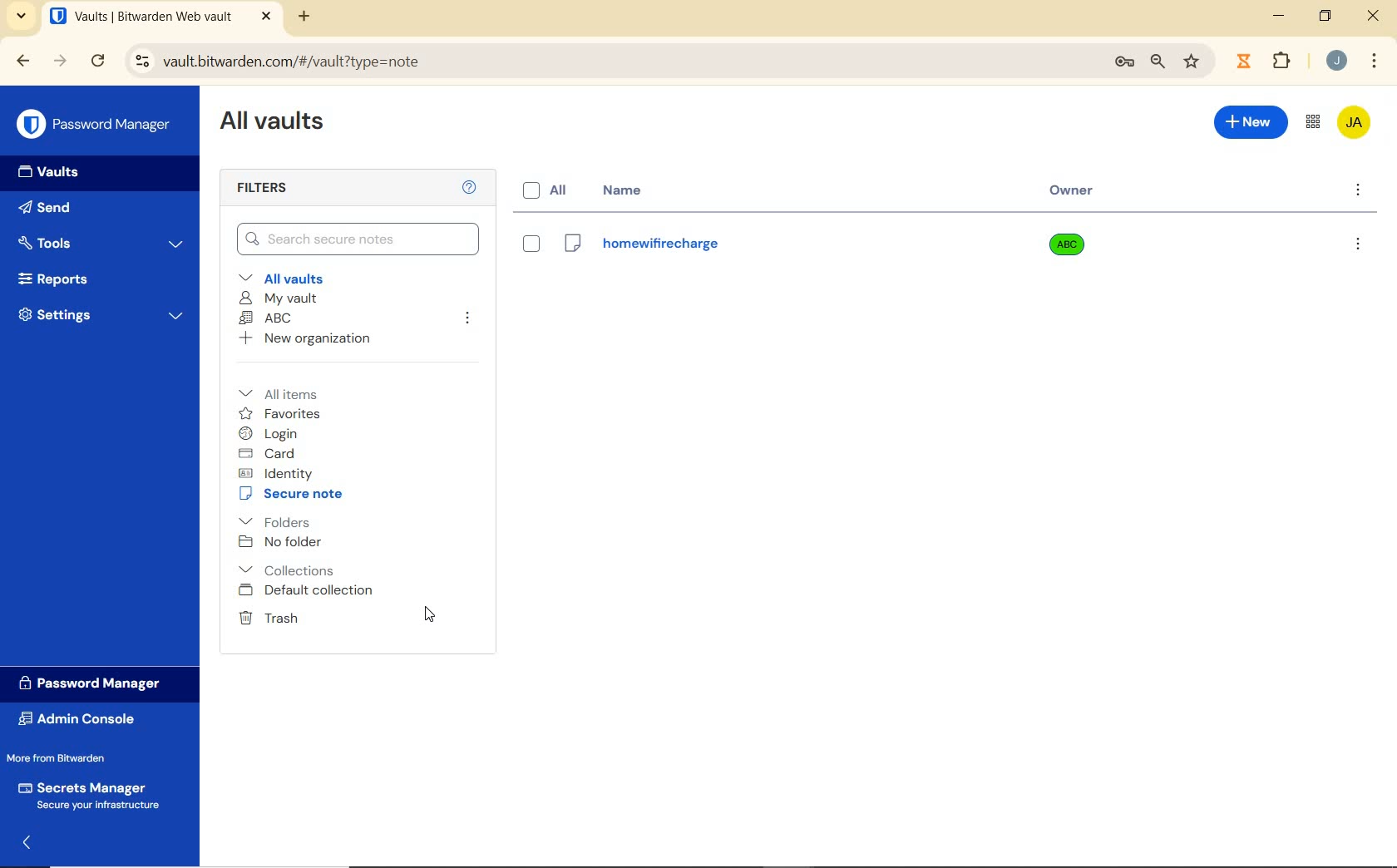  What do you see at coordinates (280, 542) in the screenshot?
I see `No folder` at bounding box center [280, 542].